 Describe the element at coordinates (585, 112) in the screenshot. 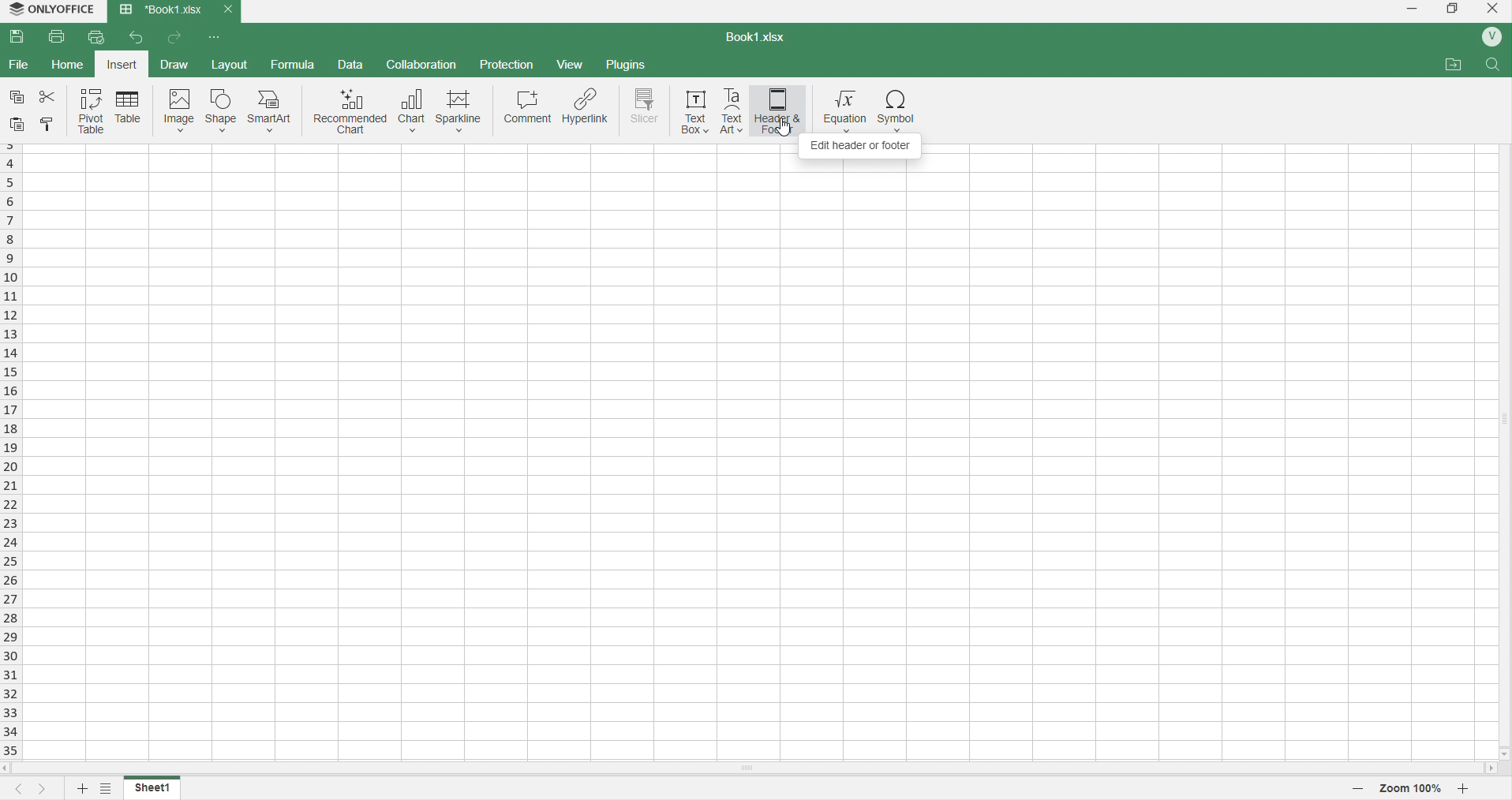

I see `hyperlink` at that location.